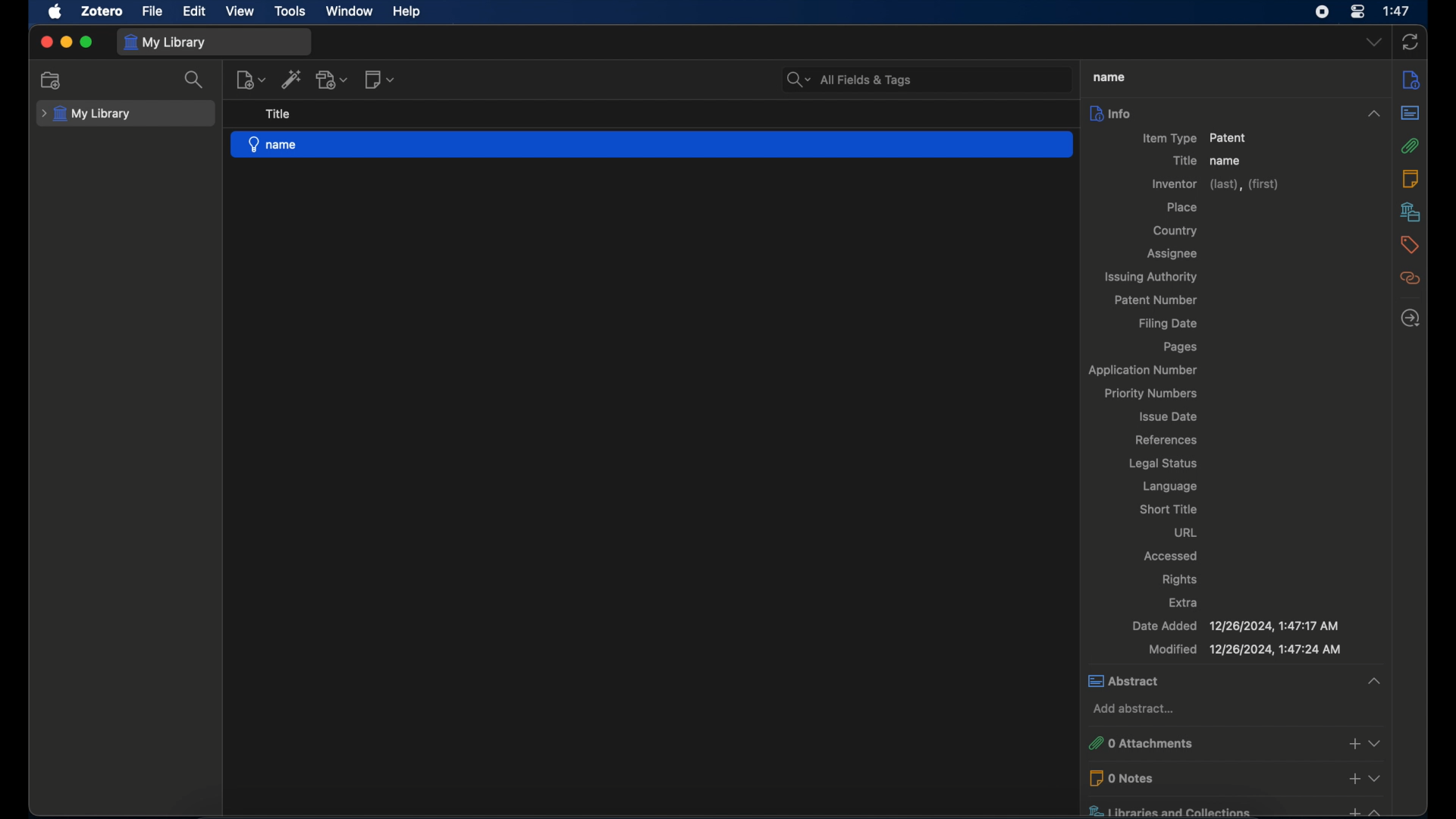 Image resolution: width=1456 pixels, height=819 pixels. I want to click on add, so click(1354, 780).